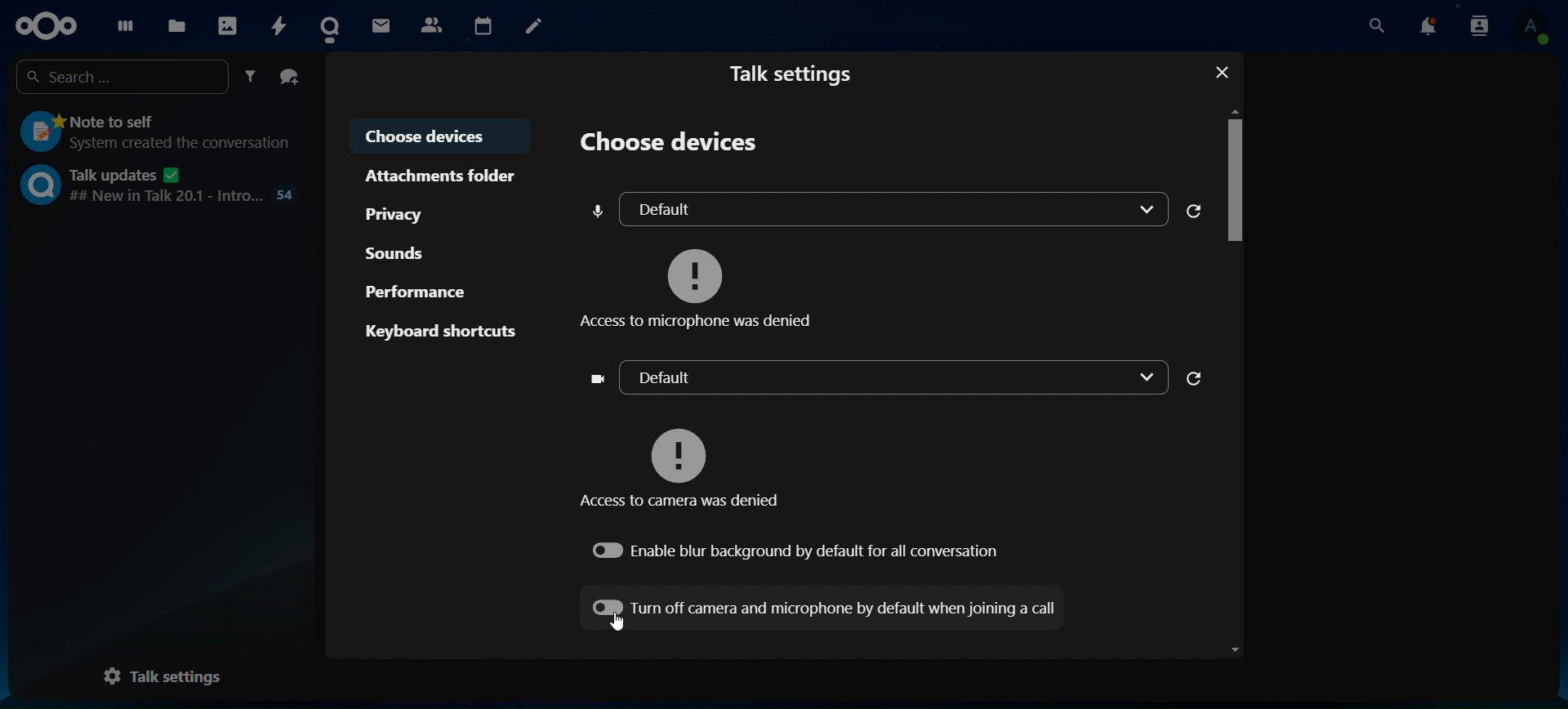 The image size is (1568, 709). Describe the element at coordinates (330, 26) in the screenshot. I see `talk` at that location.